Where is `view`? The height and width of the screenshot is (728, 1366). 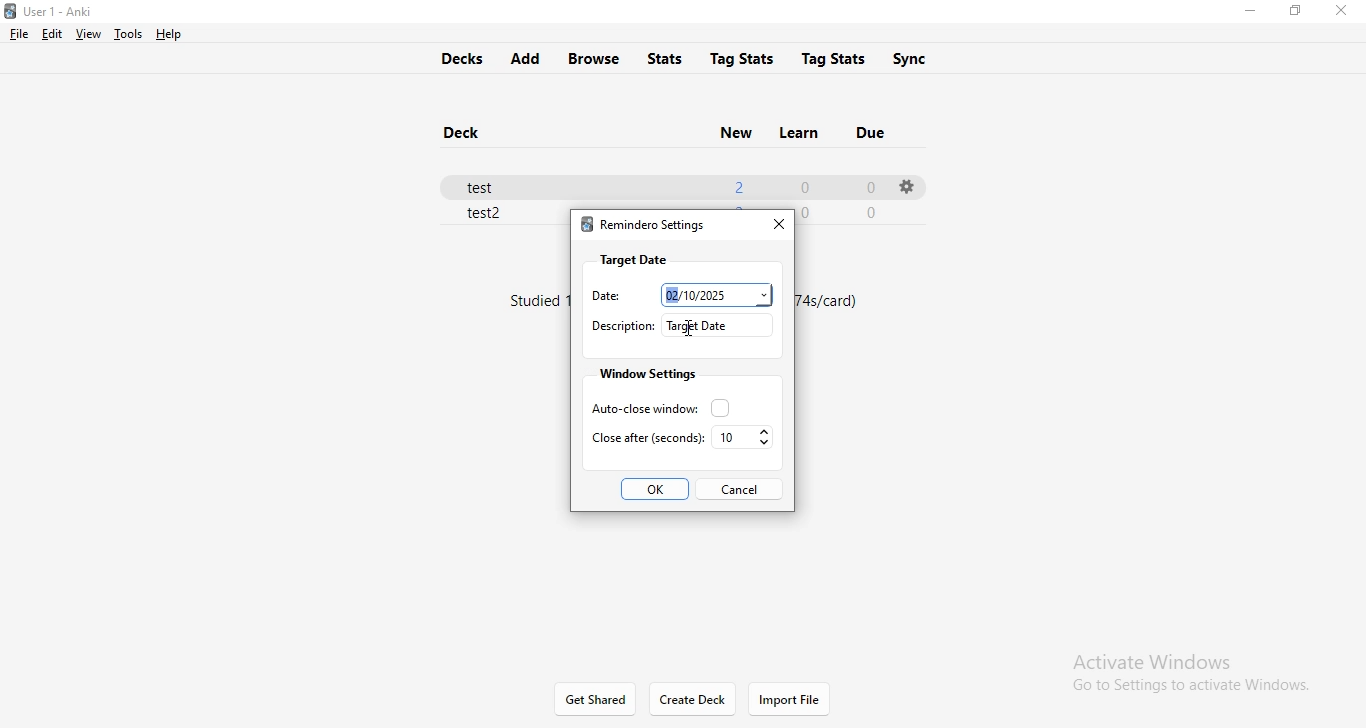
view is located at coordinates (86, 34).